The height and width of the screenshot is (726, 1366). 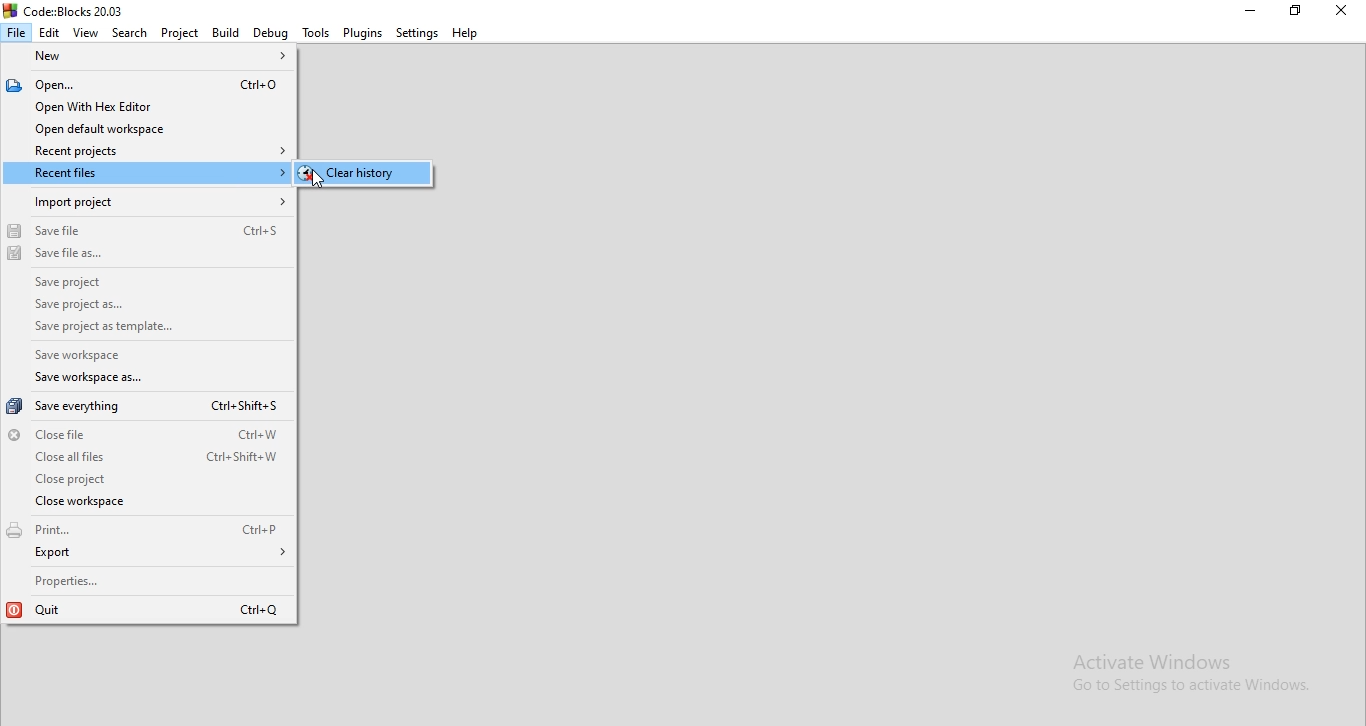 I want to click on Open with Hex Editor, so click(x=141, y=108).